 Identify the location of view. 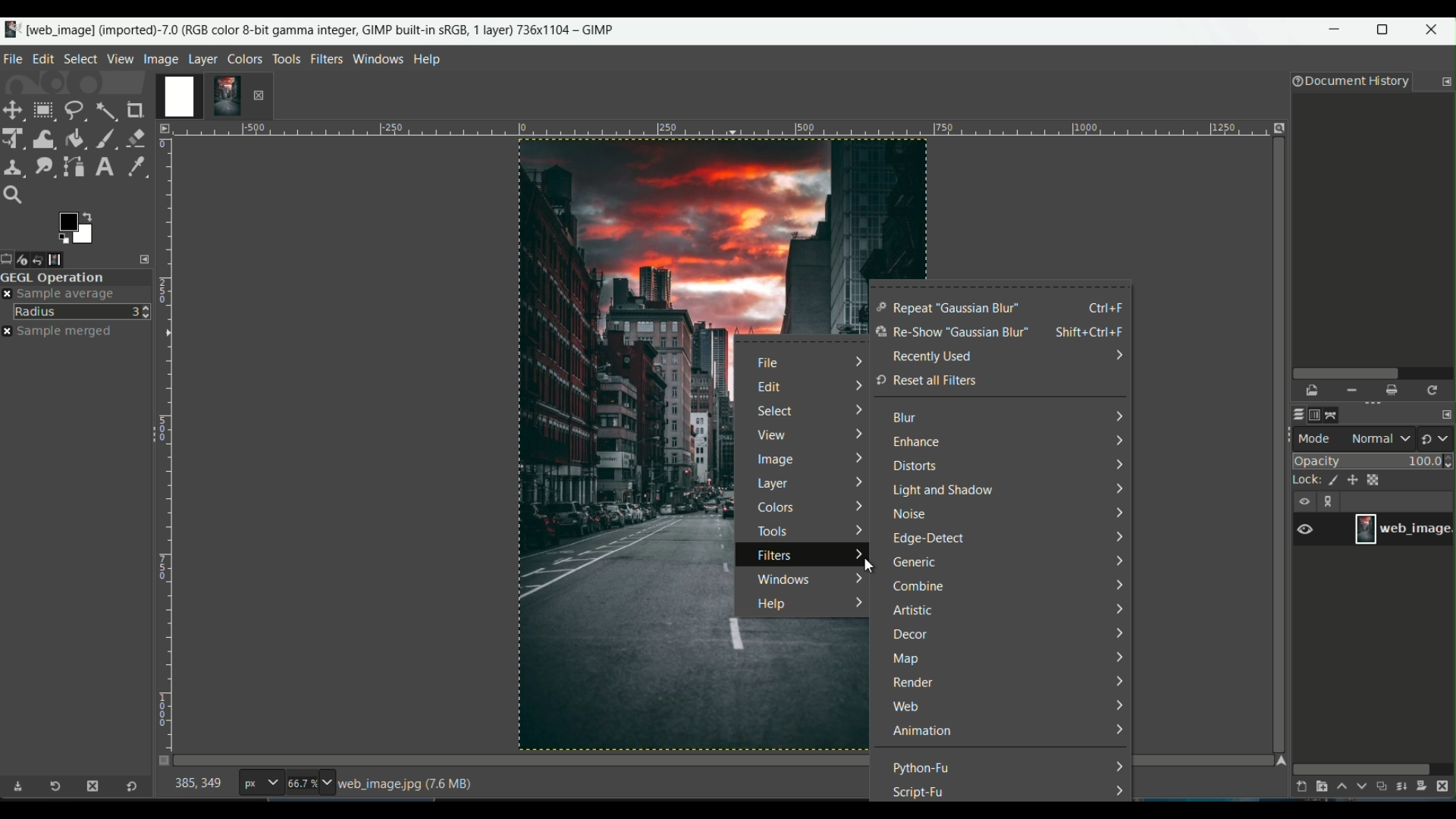
(770, 438).